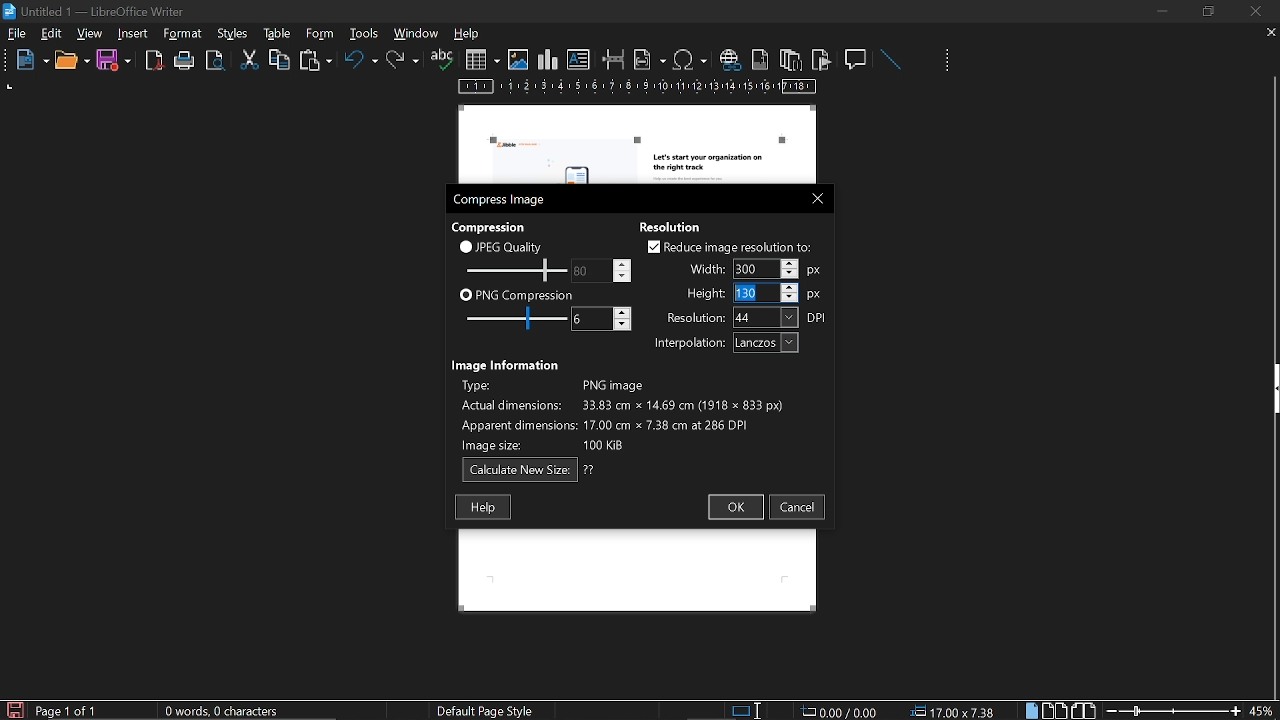 The height and width of the screenshot is (720, 1280). Describe the element at coordinates (91, 33) in the screenshot. I see `view` at that location.